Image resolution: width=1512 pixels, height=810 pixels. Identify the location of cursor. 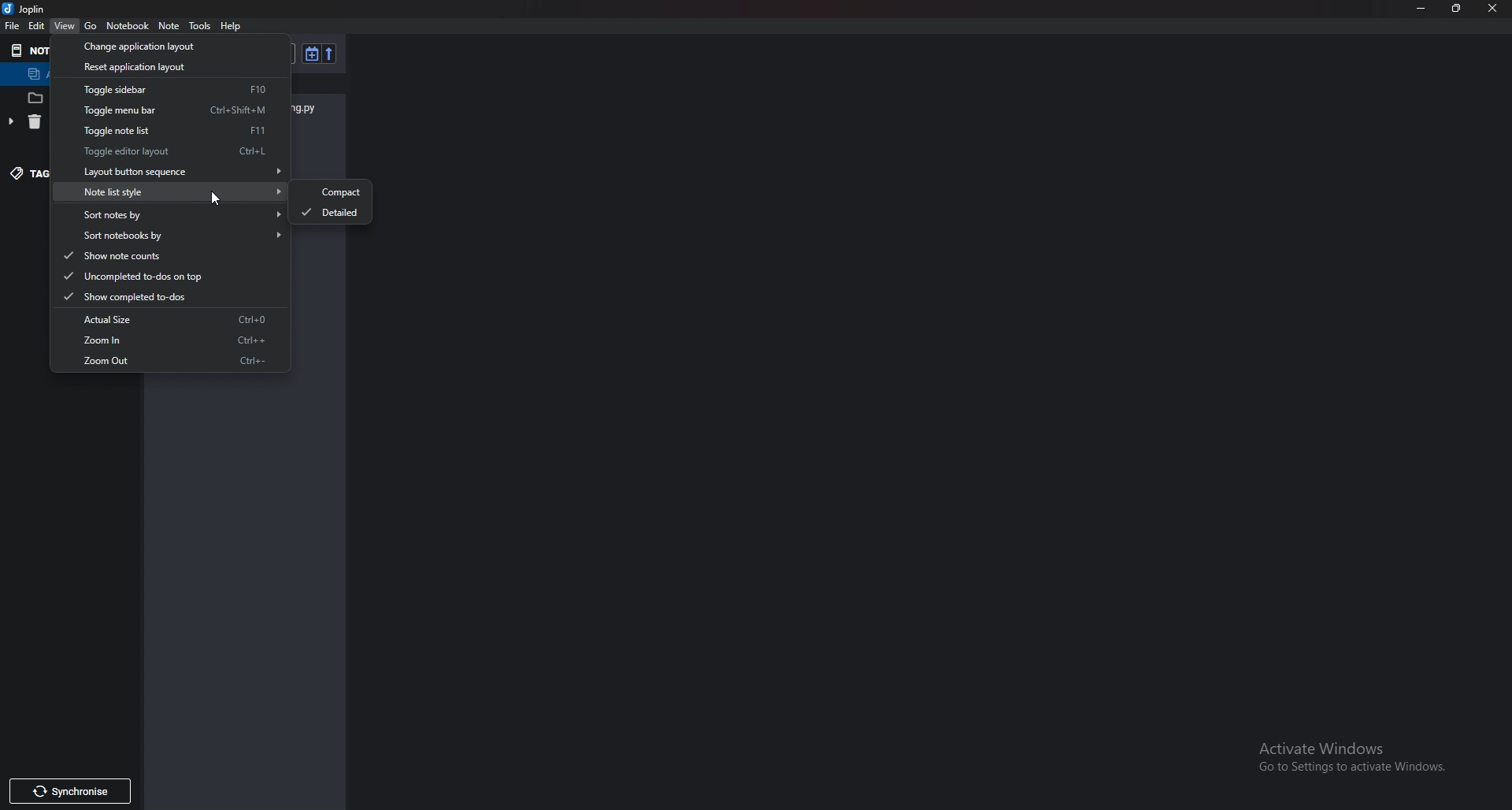
(217, 199).